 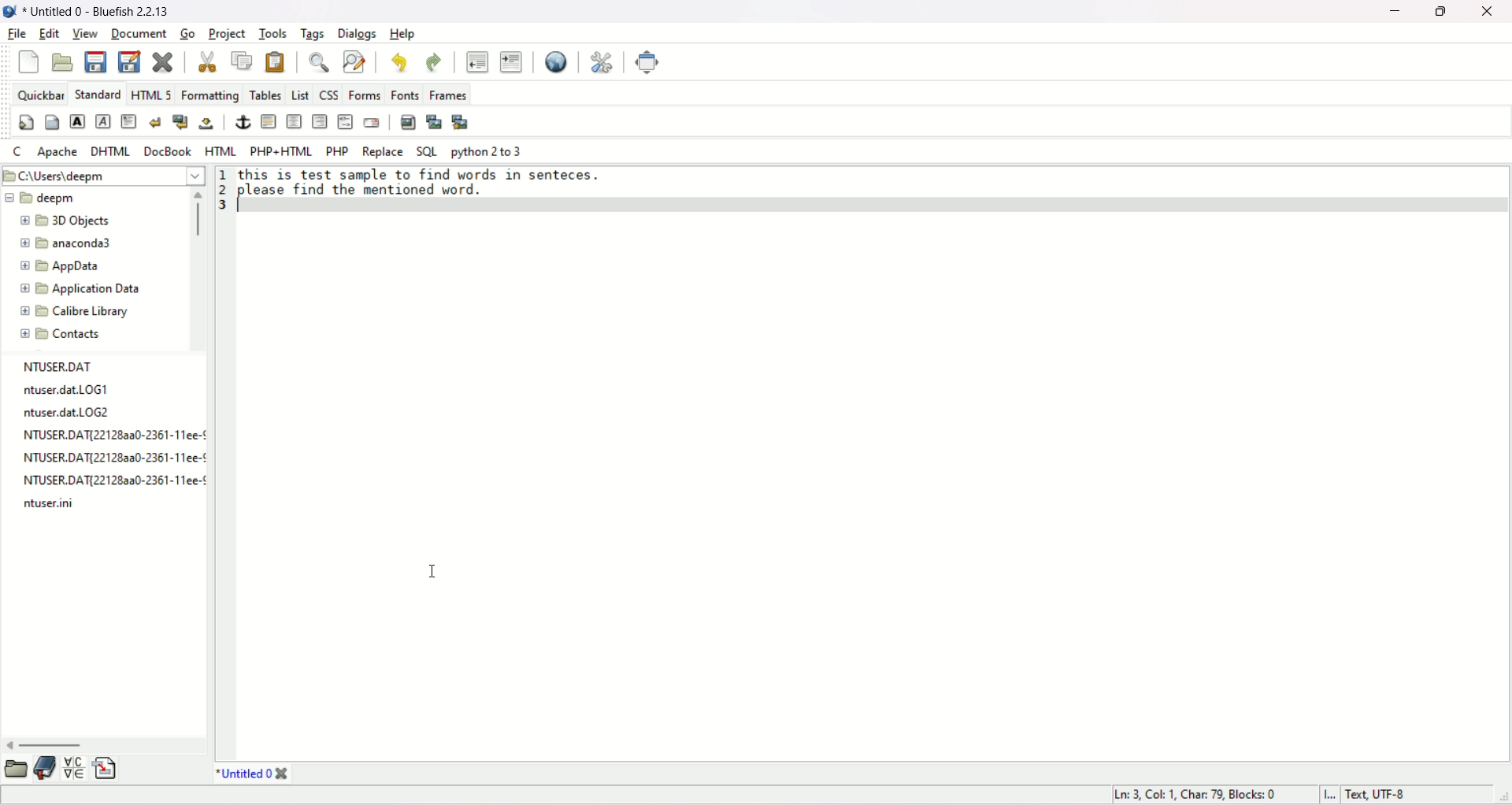 What do you see at coordinates (190, 35) in the screenshot?
I see `go` at bounding box center [190, 35].